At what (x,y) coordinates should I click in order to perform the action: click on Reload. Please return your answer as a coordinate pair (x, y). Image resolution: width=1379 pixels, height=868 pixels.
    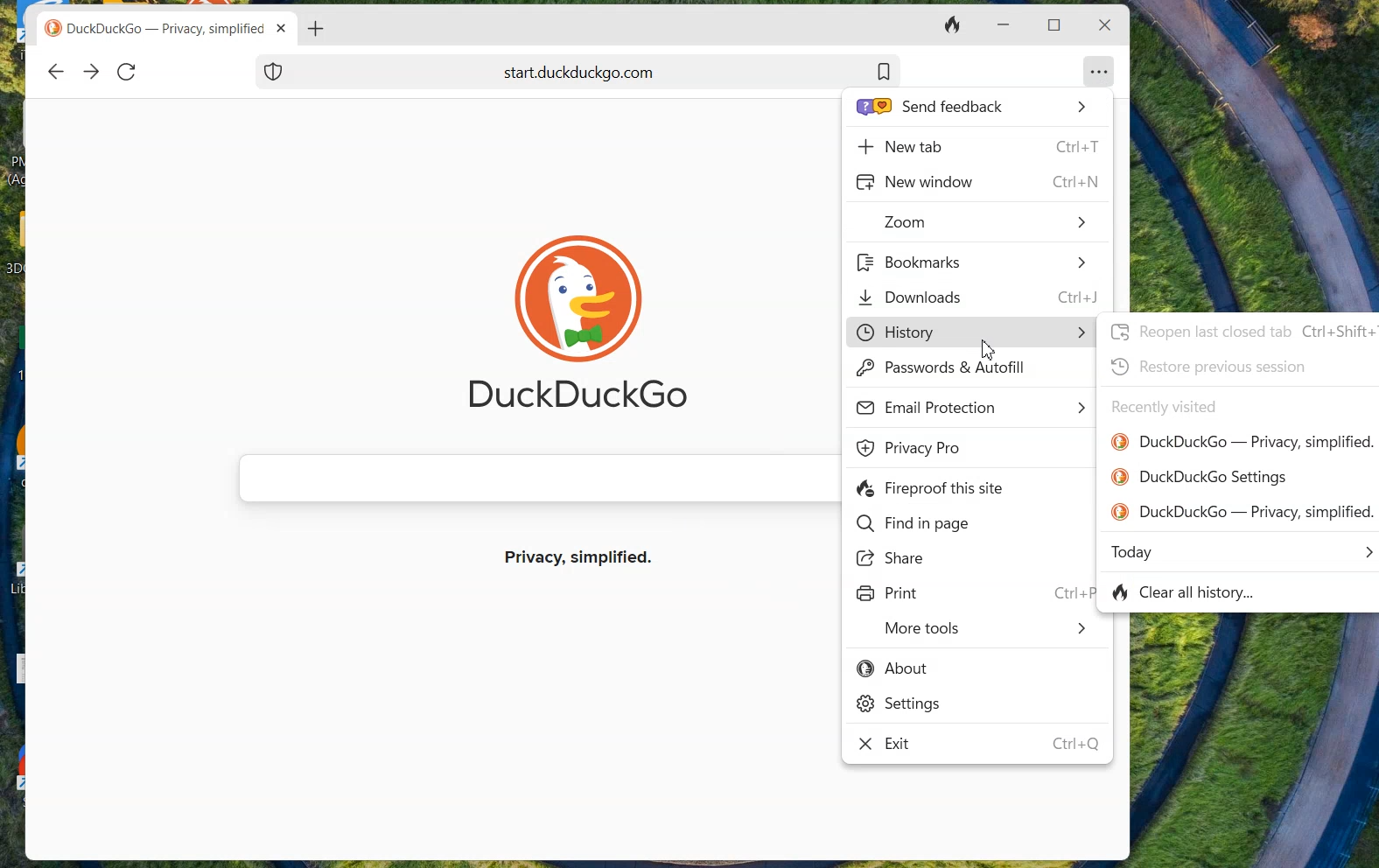
    Looking at the image, I should click on (127, 71).